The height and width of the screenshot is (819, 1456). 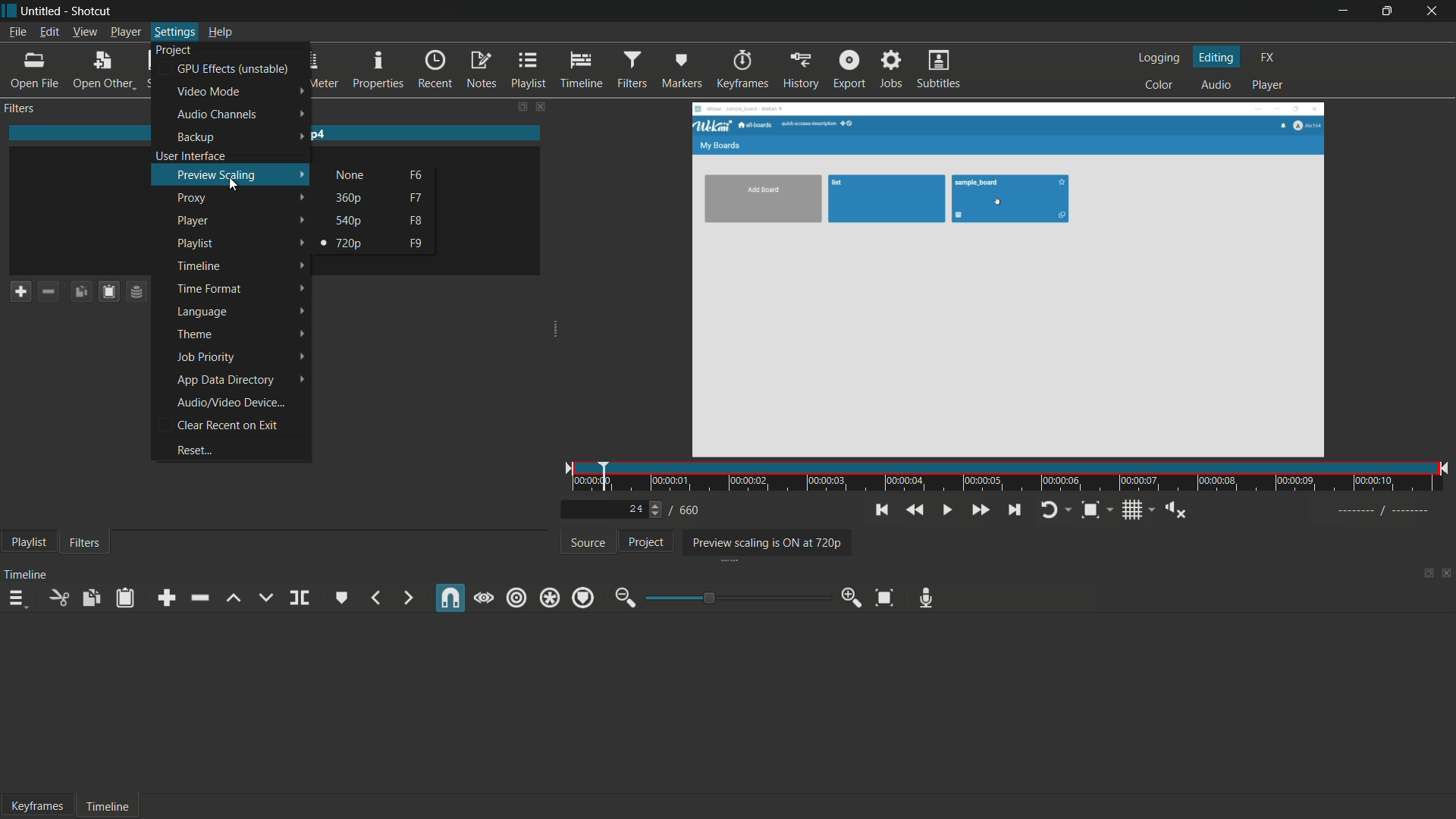 I want to click on source, so click(x=588, y=542).